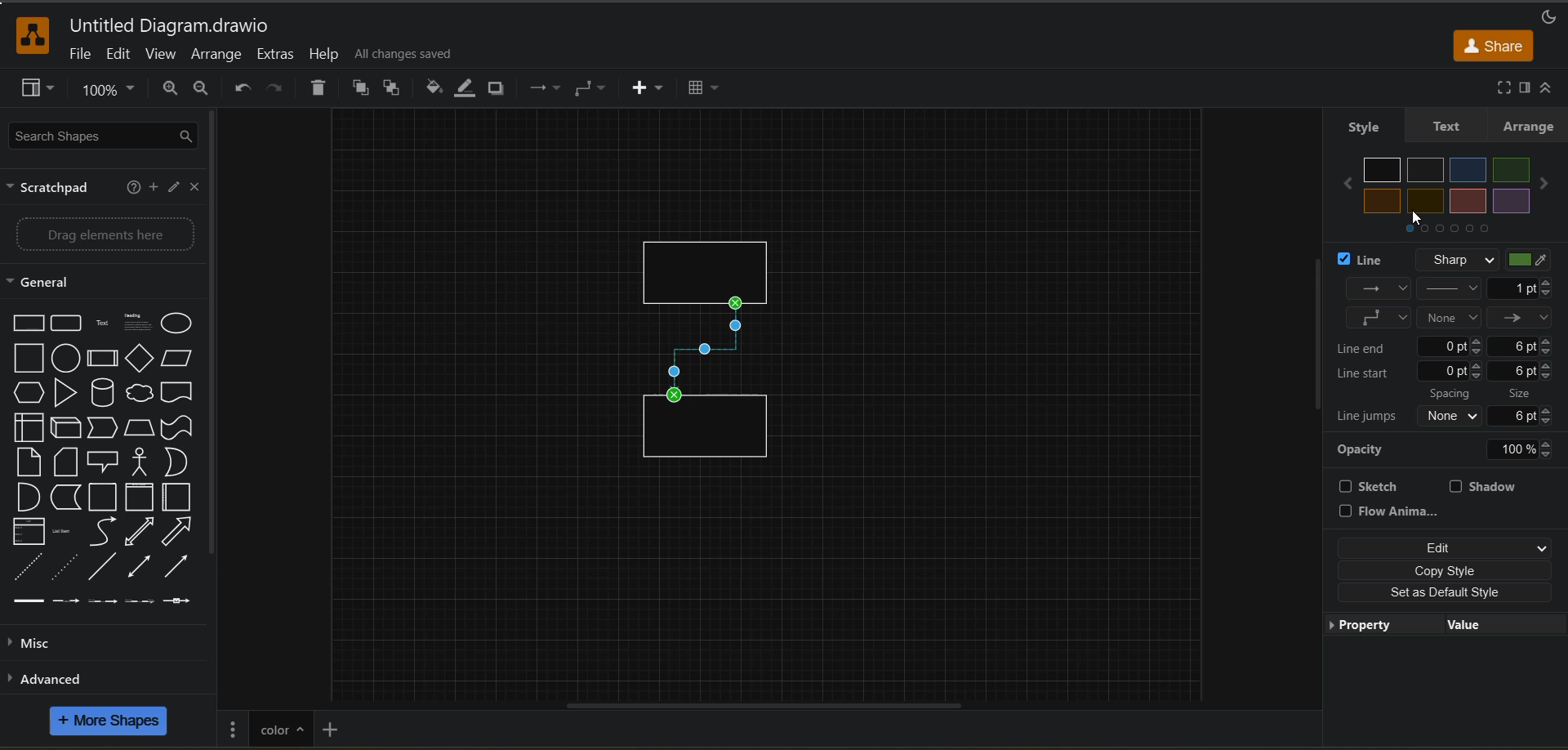  I want to click on scratchpad, so click(53, 190).